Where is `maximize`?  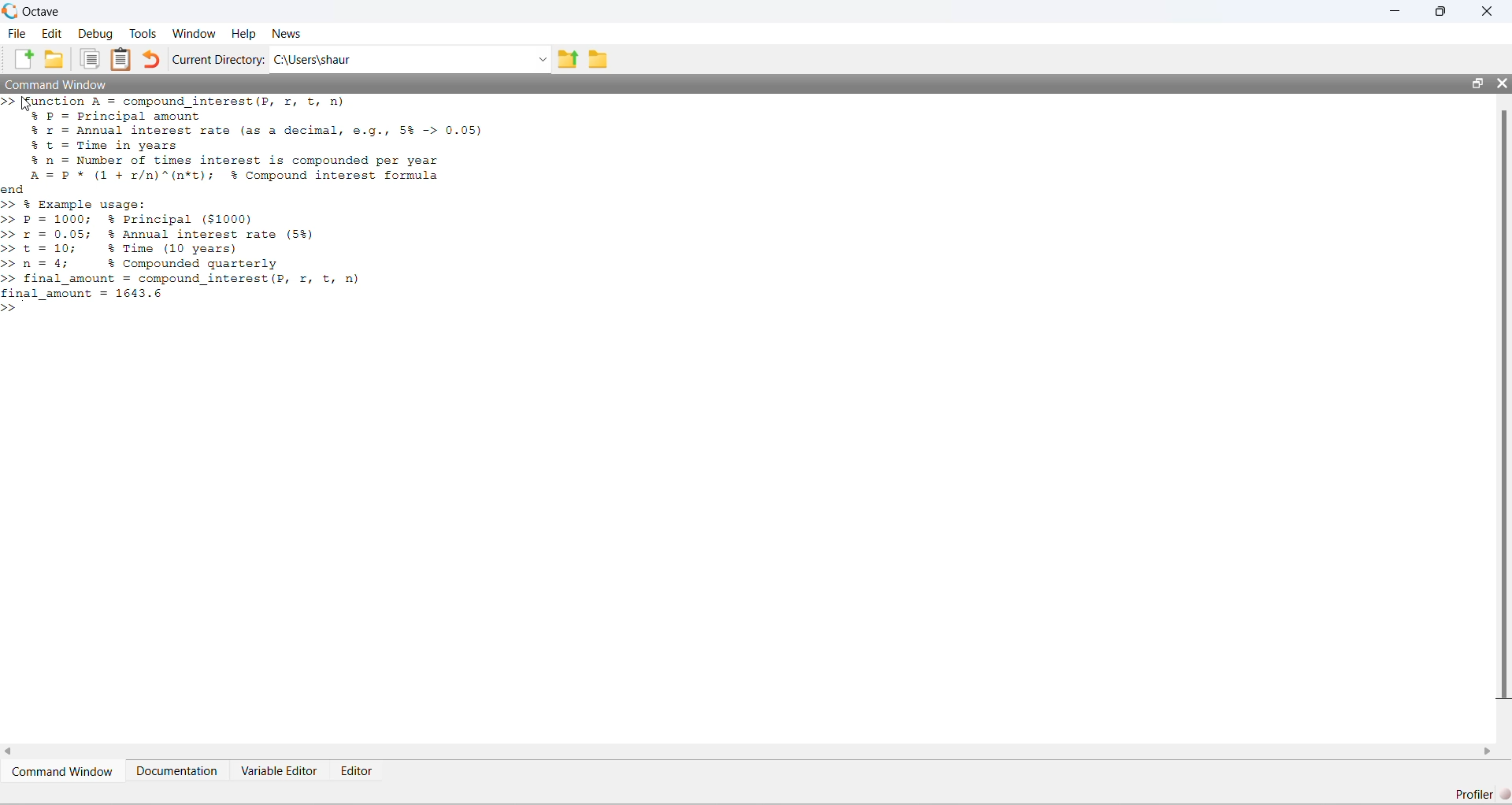
maximize is located at coordinates (1477, 83).